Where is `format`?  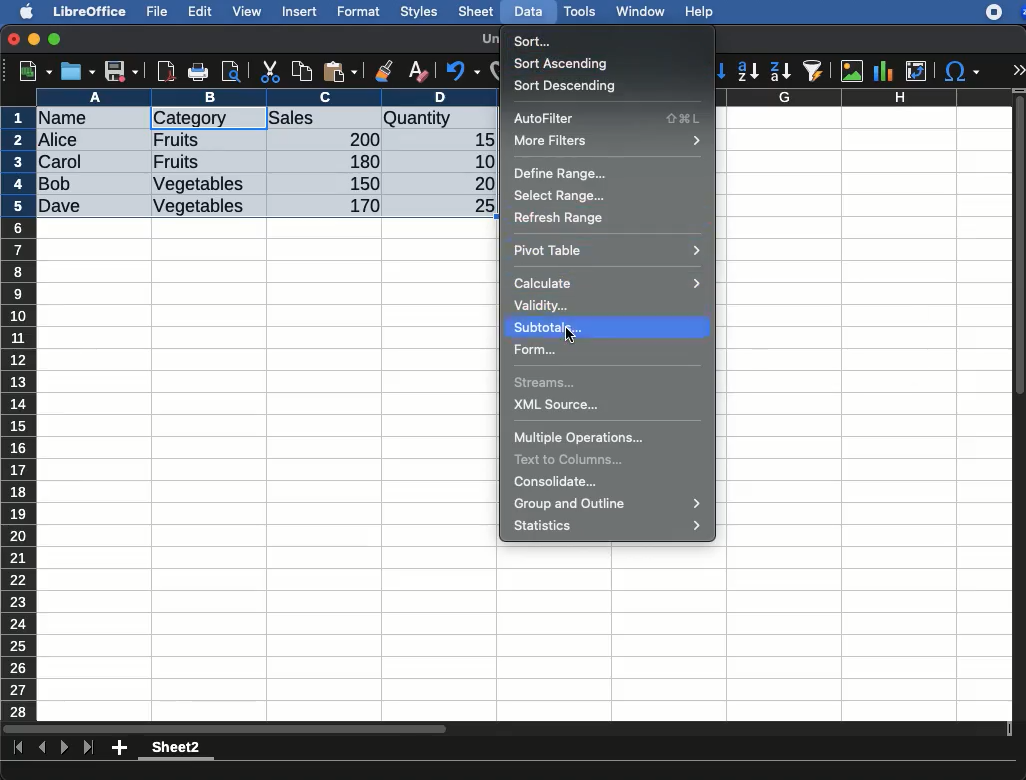
format is located at coordinates (359, 12).